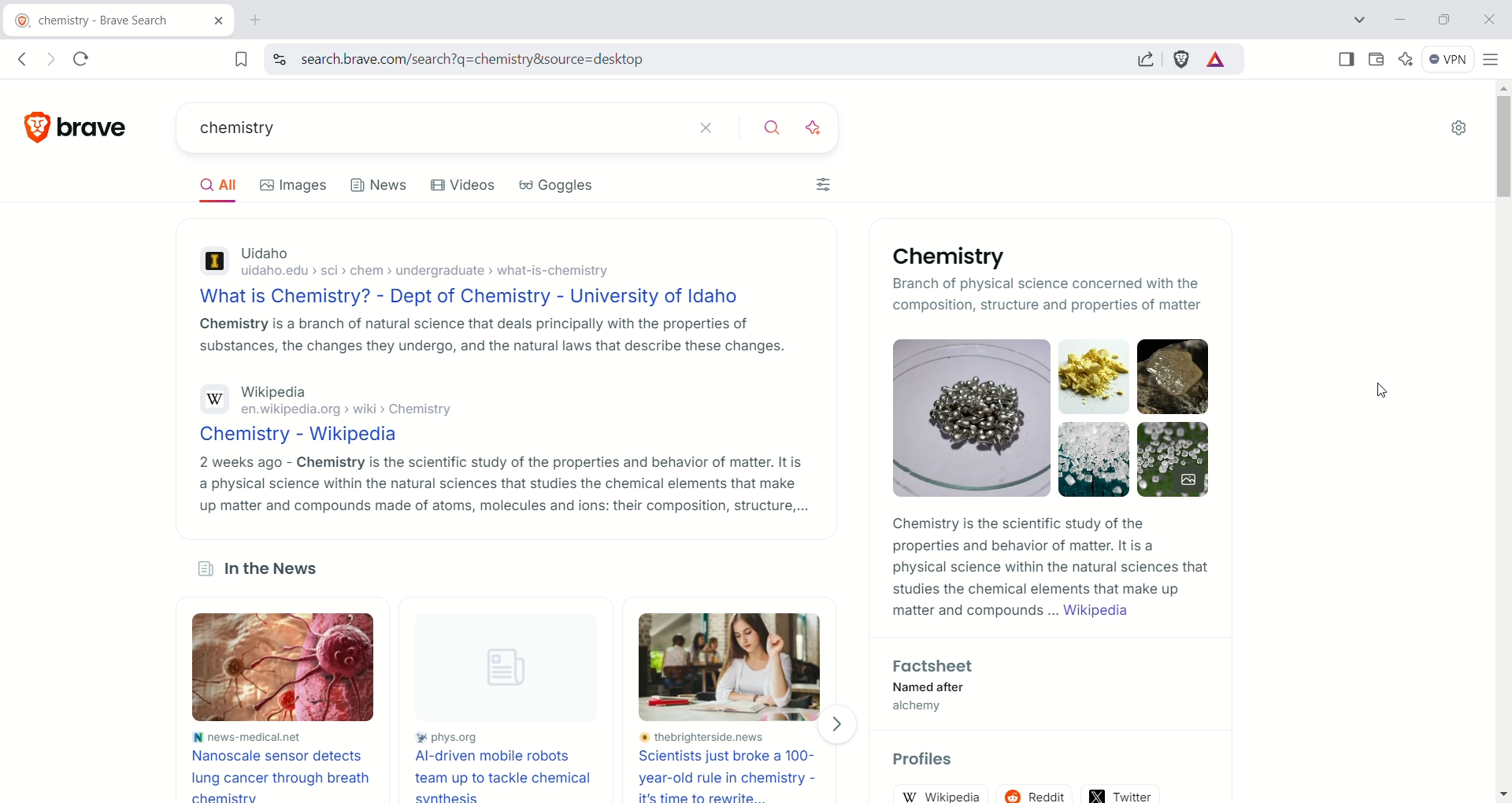  I want to click on chemistry, so click(414, 130).